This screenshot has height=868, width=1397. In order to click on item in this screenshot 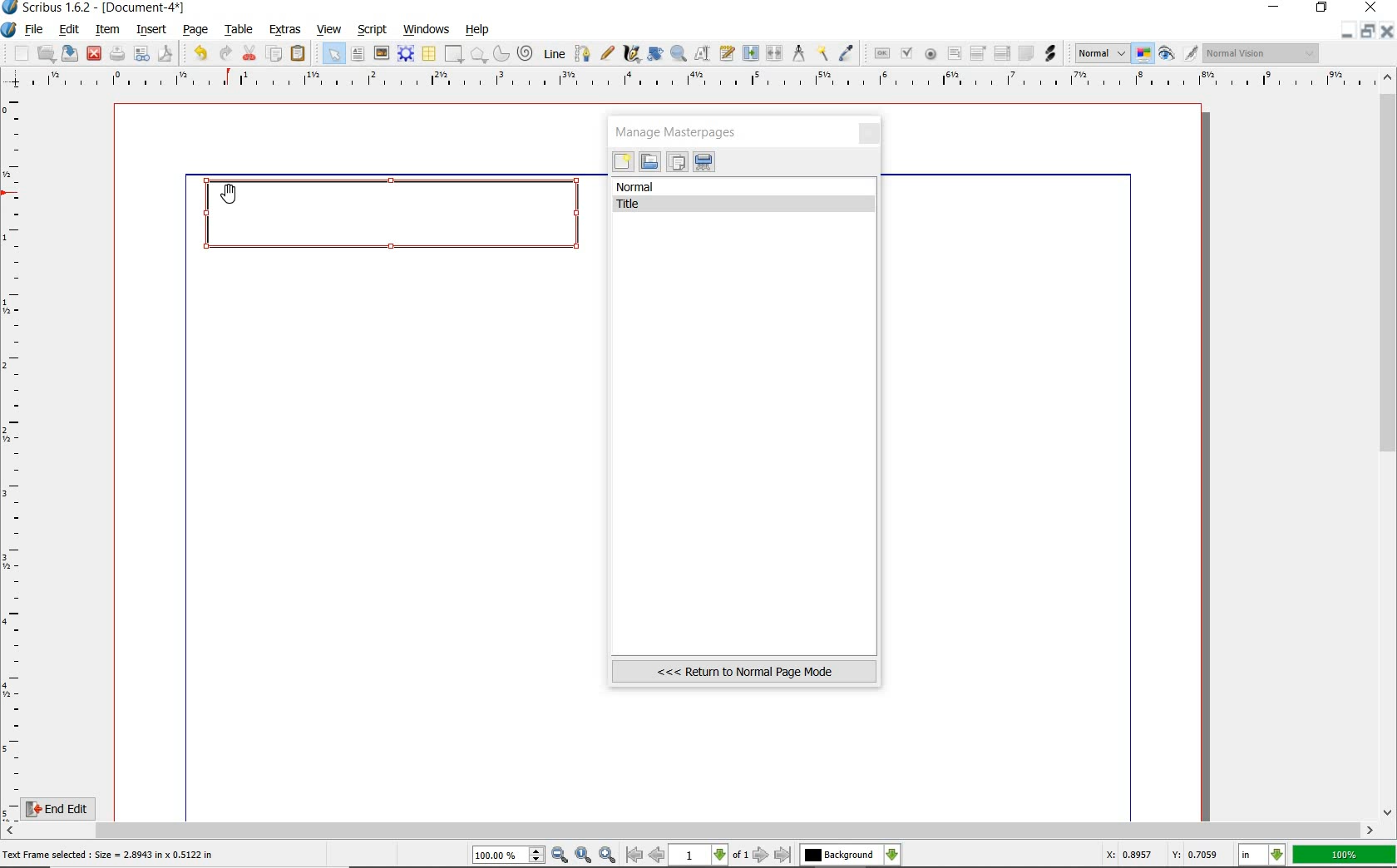, I will do `click(108, 31)`.